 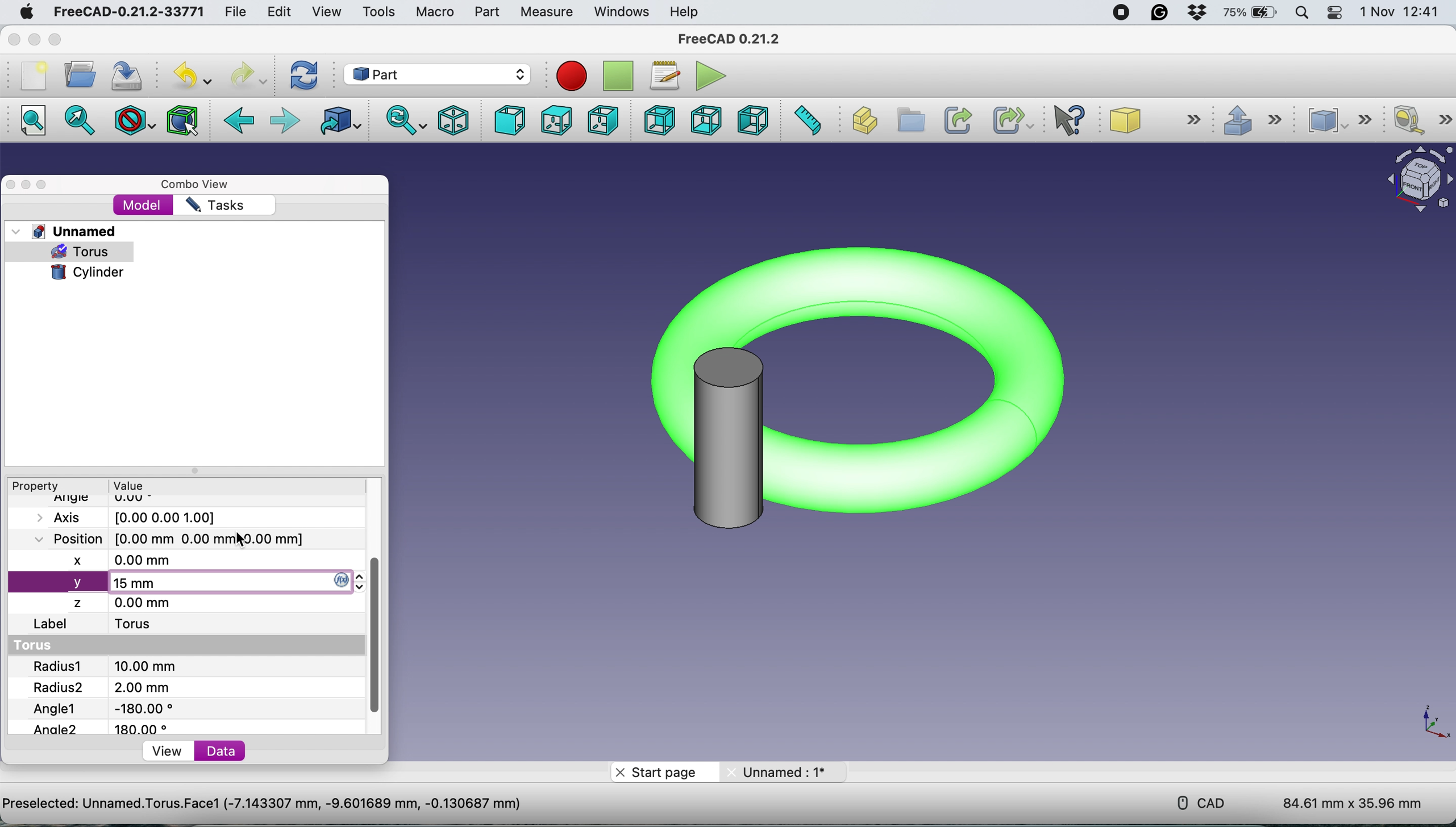 What do you see at coordinates (143, 625) in the screenshot?
I see `torus` at bounding box center [143, 625].